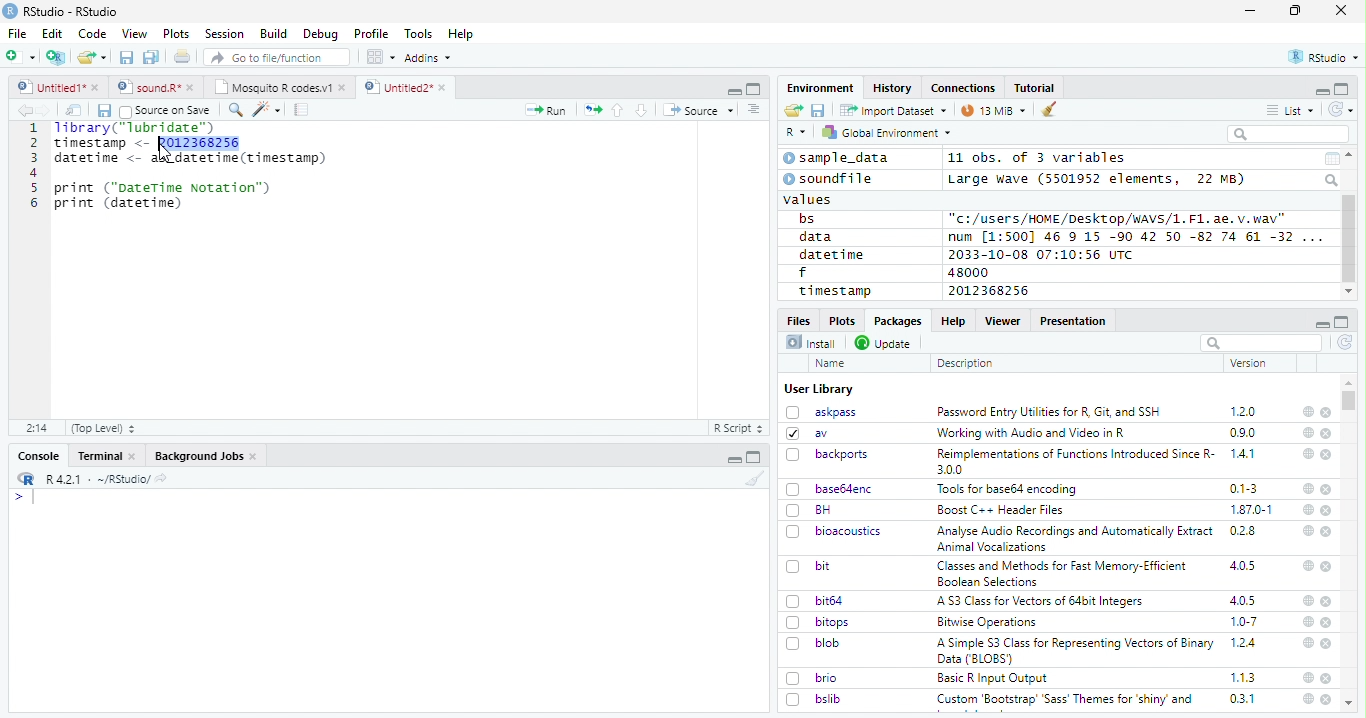 This screenshot has width=1366, height=718. I want to click on print ("pateTime Notation")
print (datetime), so click(164, 196).